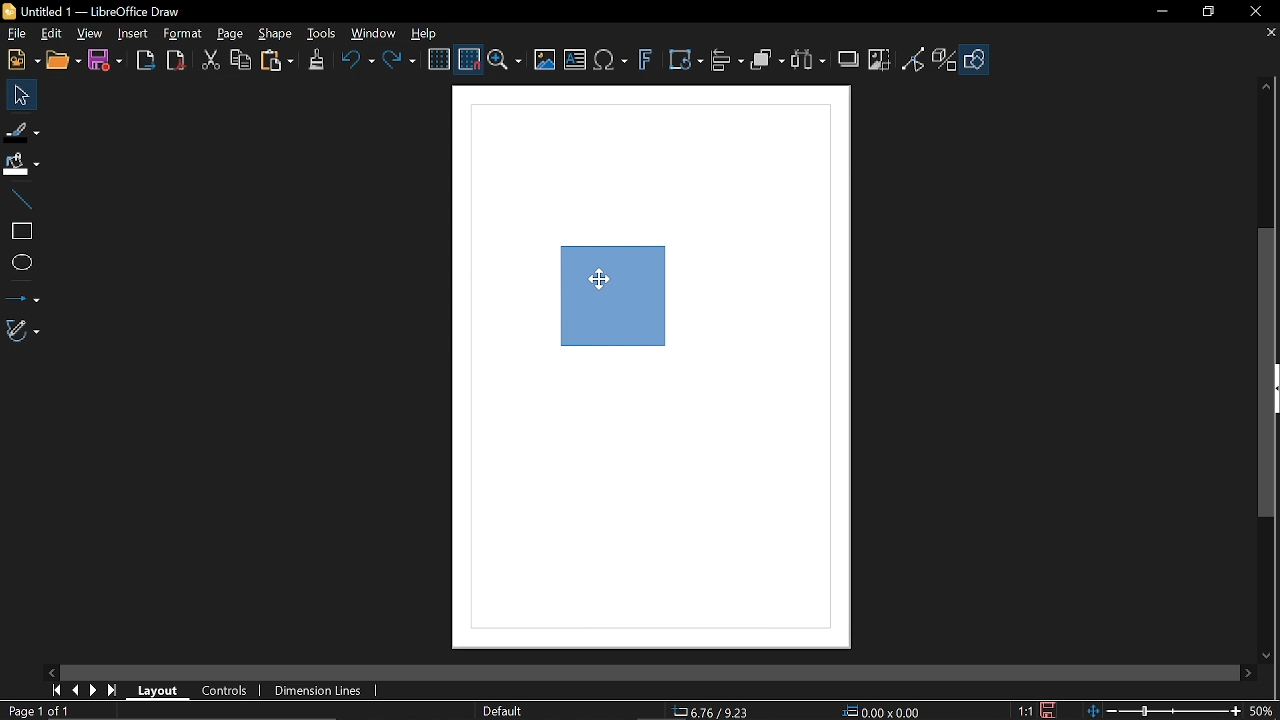 This screenshot has width=1280, height=720. I want to click on Insert, so click(131, 33).